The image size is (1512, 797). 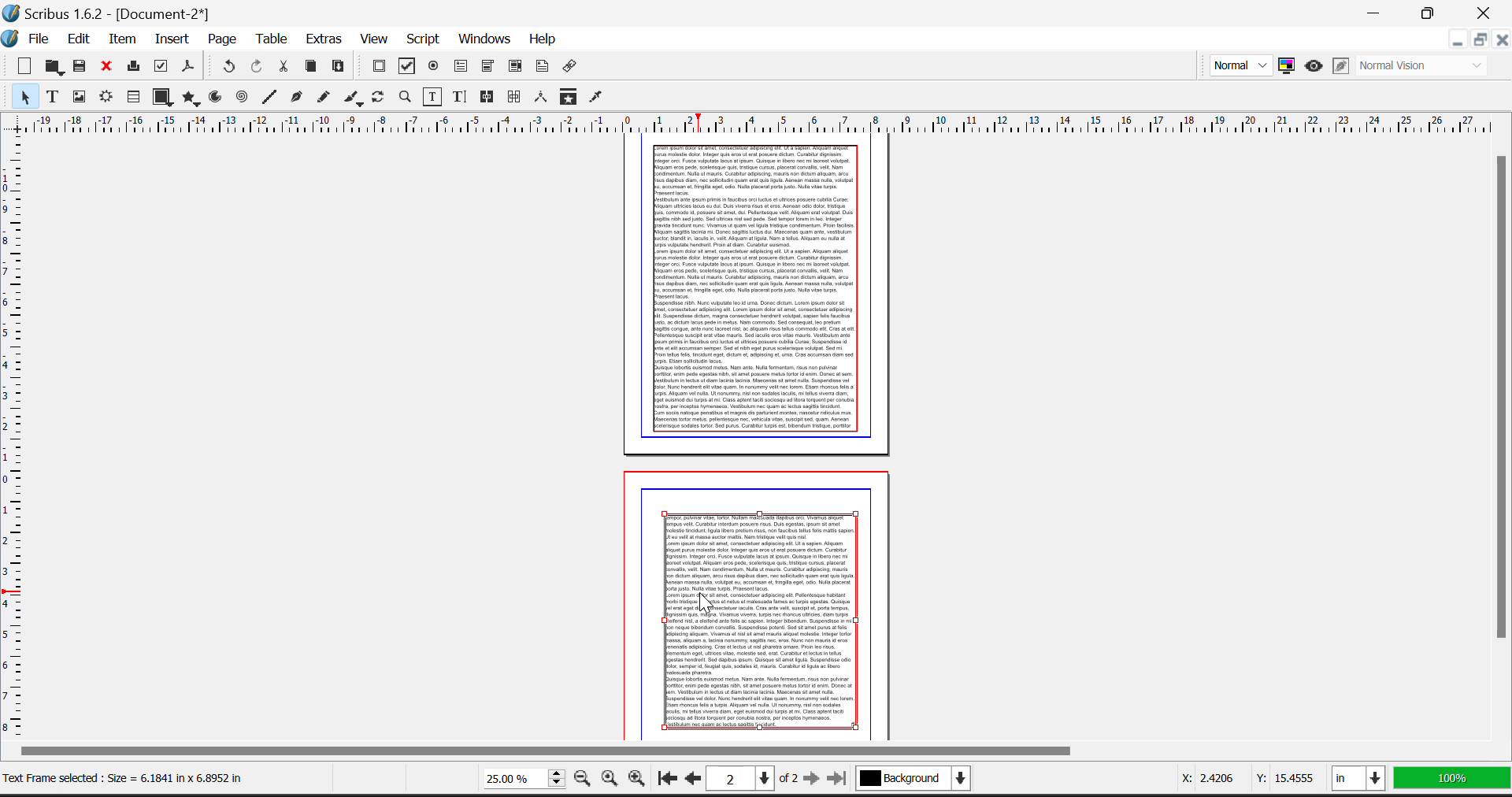 What do you see at coordinates (380, 98) in the screenshot?
I see `Rotate Image` at bounding box center [380, 98].